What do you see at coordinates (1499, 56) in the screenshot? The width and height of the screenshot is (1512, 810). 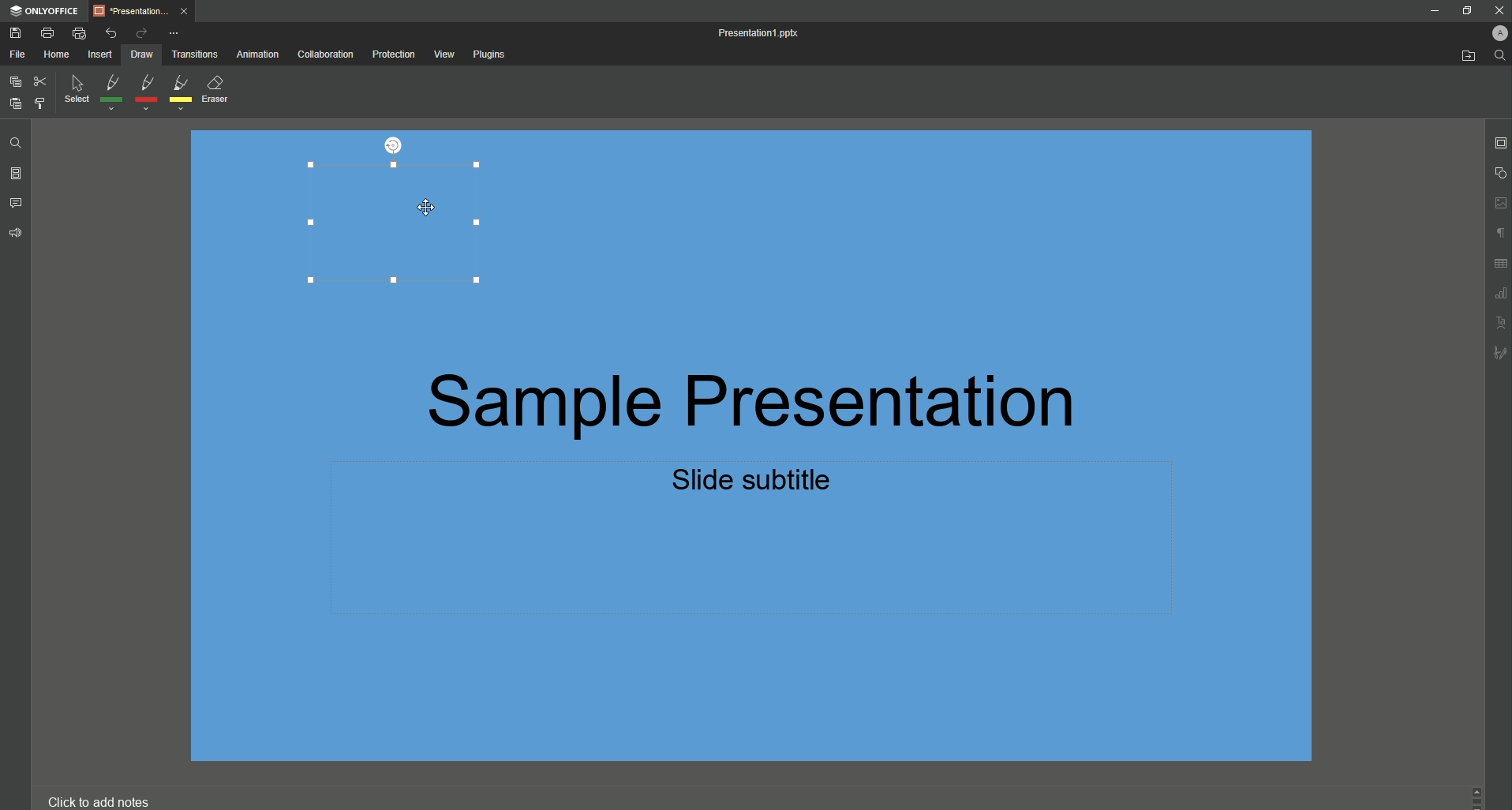 I see `Find` at bounding box center [1499, 56].